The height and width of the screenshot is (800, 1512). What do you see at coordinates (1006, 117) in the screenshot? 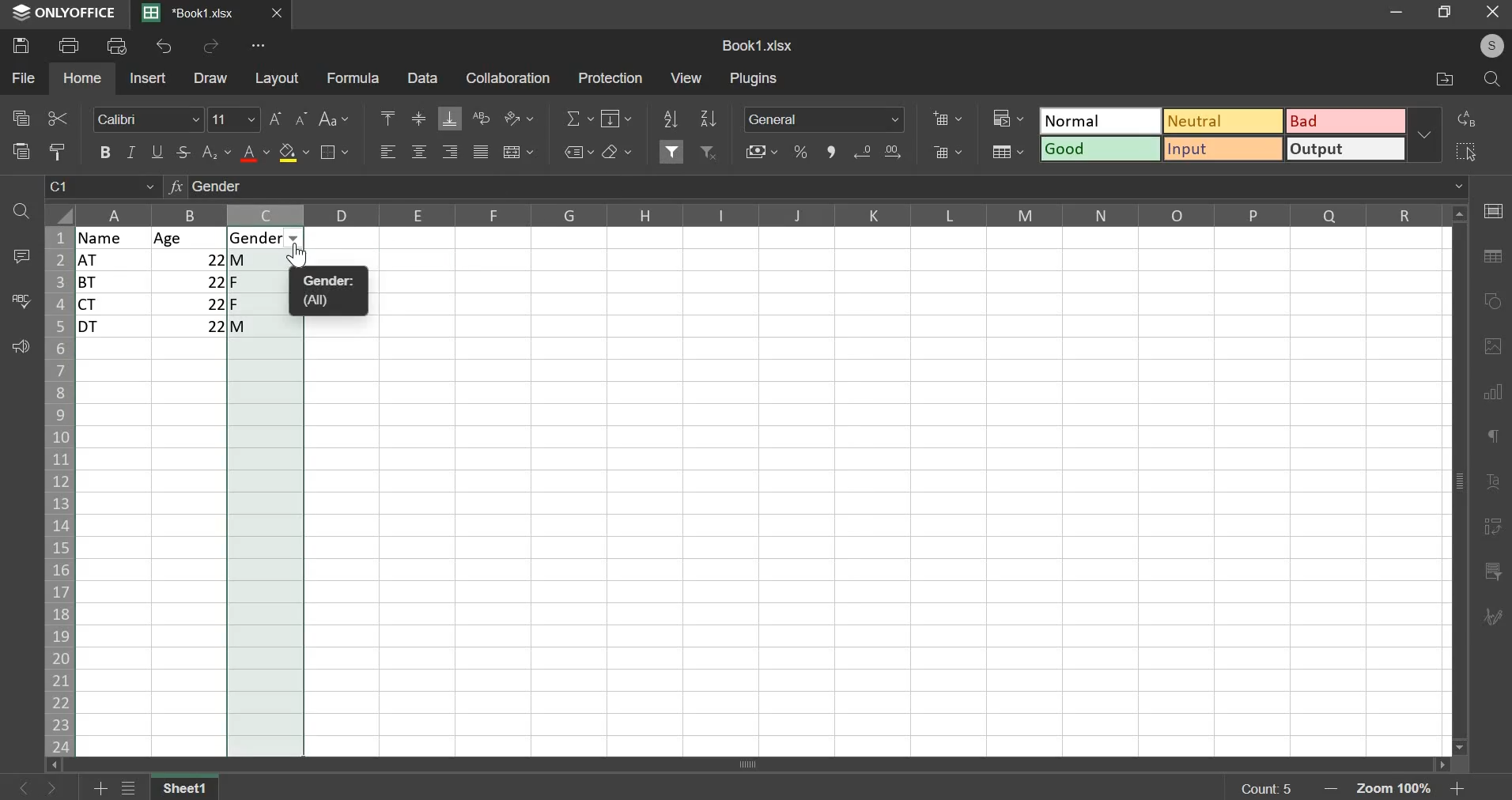
I see `conditional formatting` at bounding box center [1006, 117].